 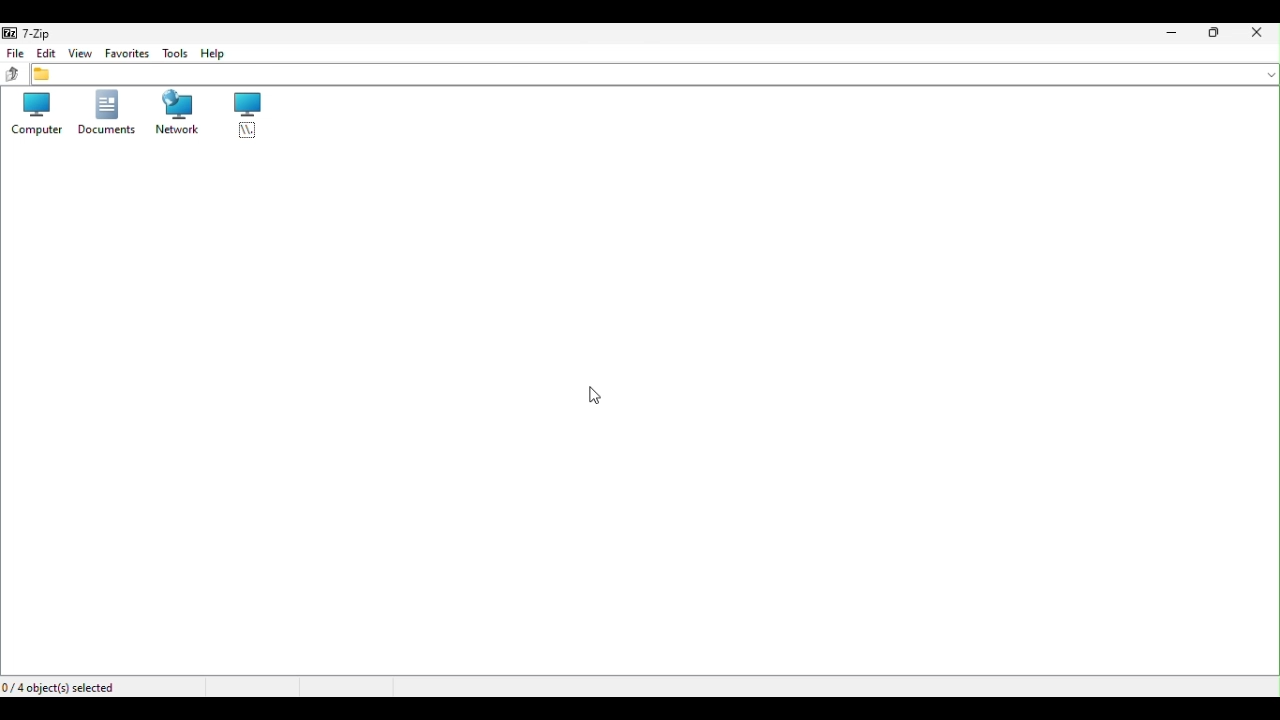 I want to click on Restore, so click(x=1227, y=33).